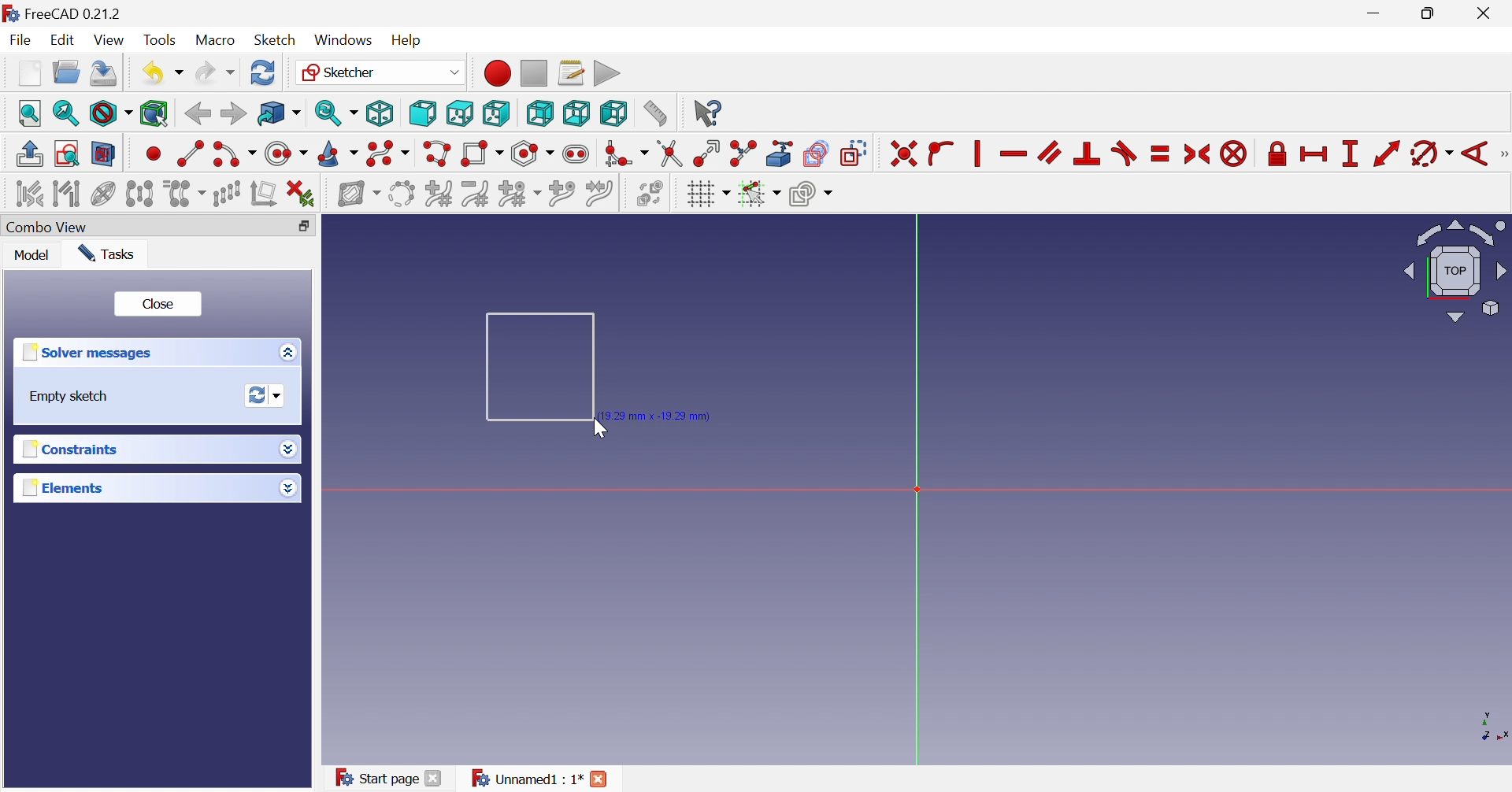  Describe the element at coordinates (28, 194) in the screenshot. I see `Select associated constraints` at that location.